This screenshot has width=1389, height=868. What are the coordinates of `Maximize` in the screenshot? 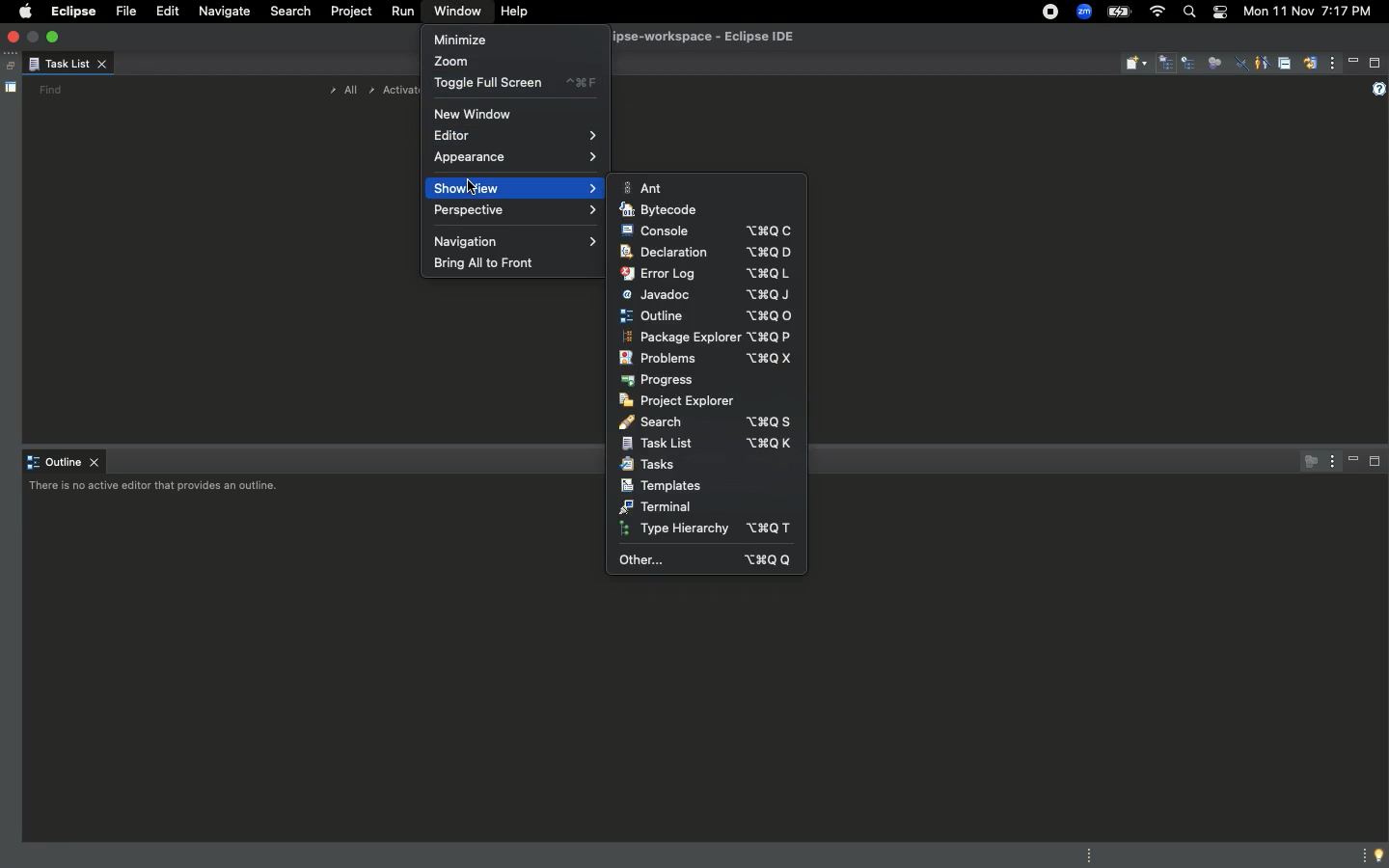 It's located at (1375, 63).